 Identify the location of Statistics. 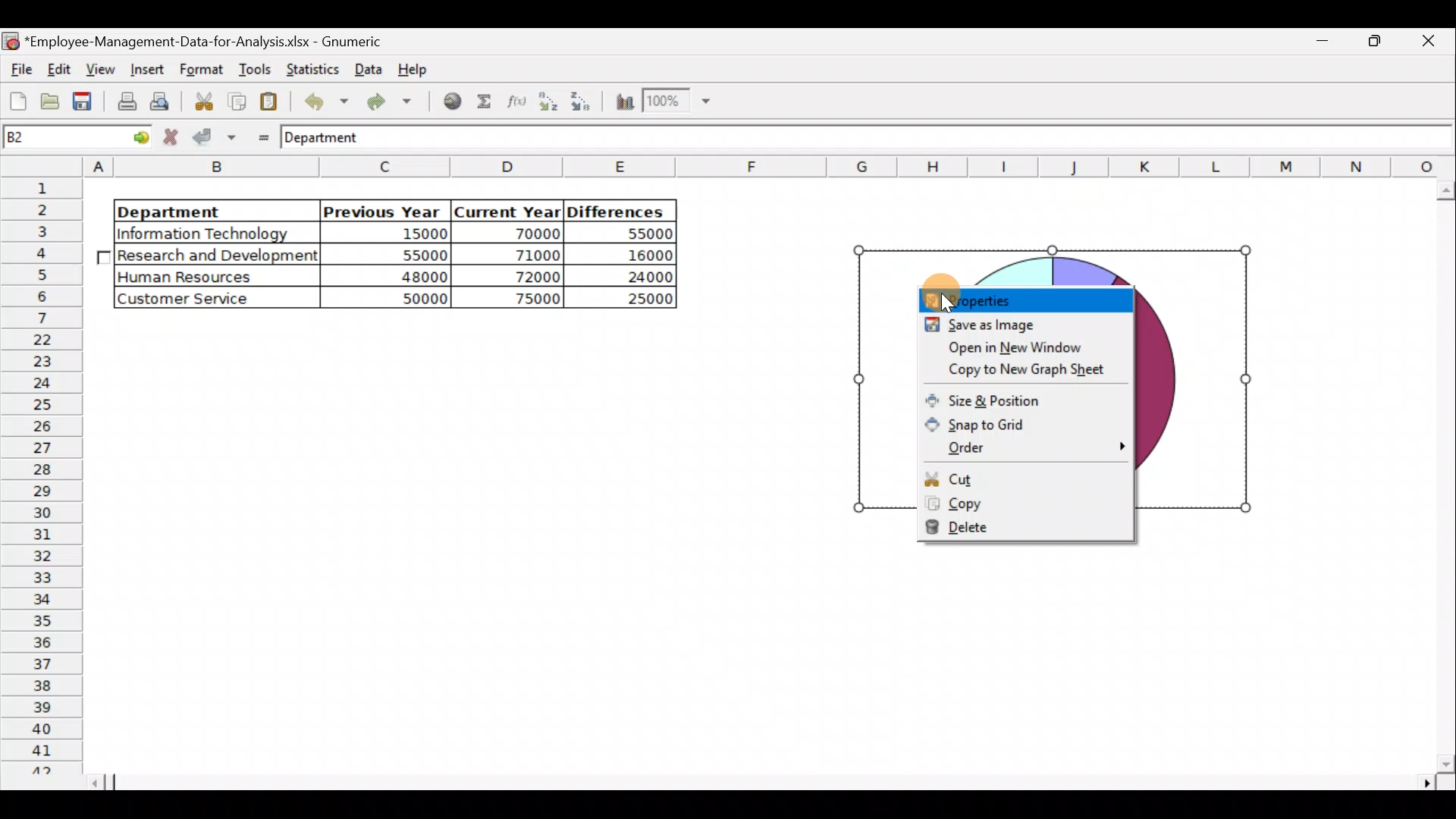
(313, 68).